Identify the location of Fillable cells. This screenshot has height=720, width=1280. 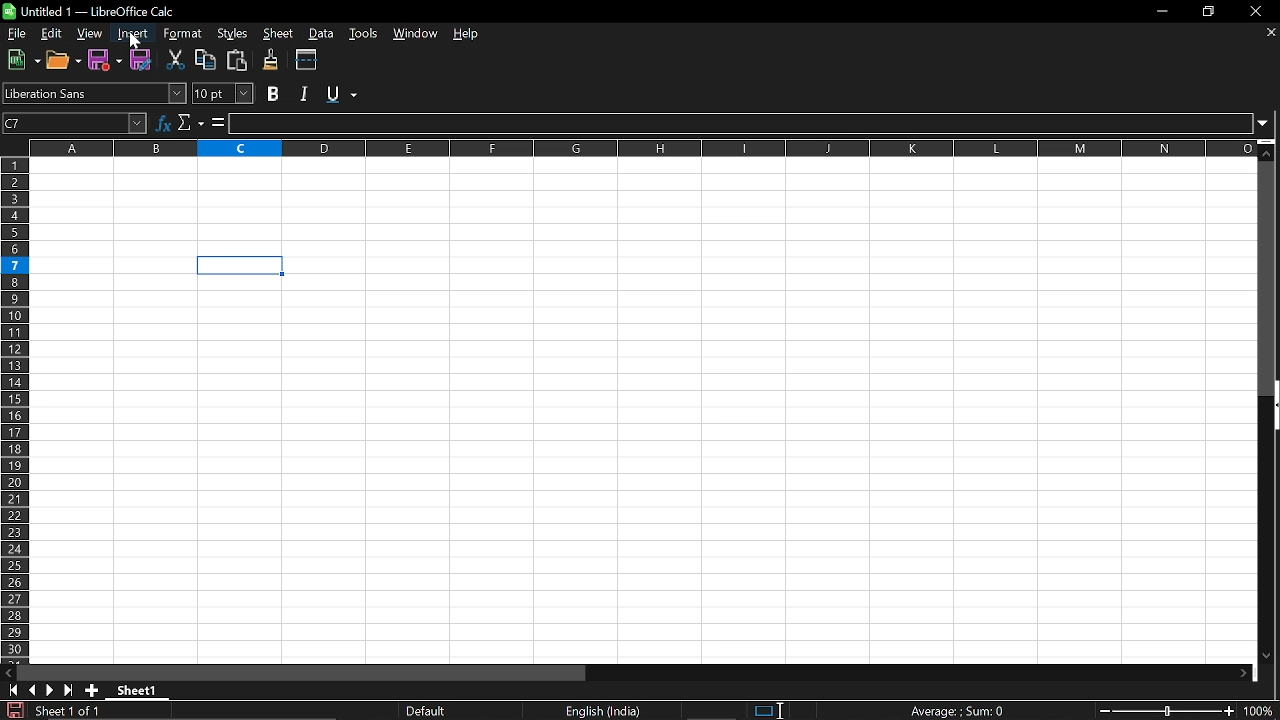
(773, 458).